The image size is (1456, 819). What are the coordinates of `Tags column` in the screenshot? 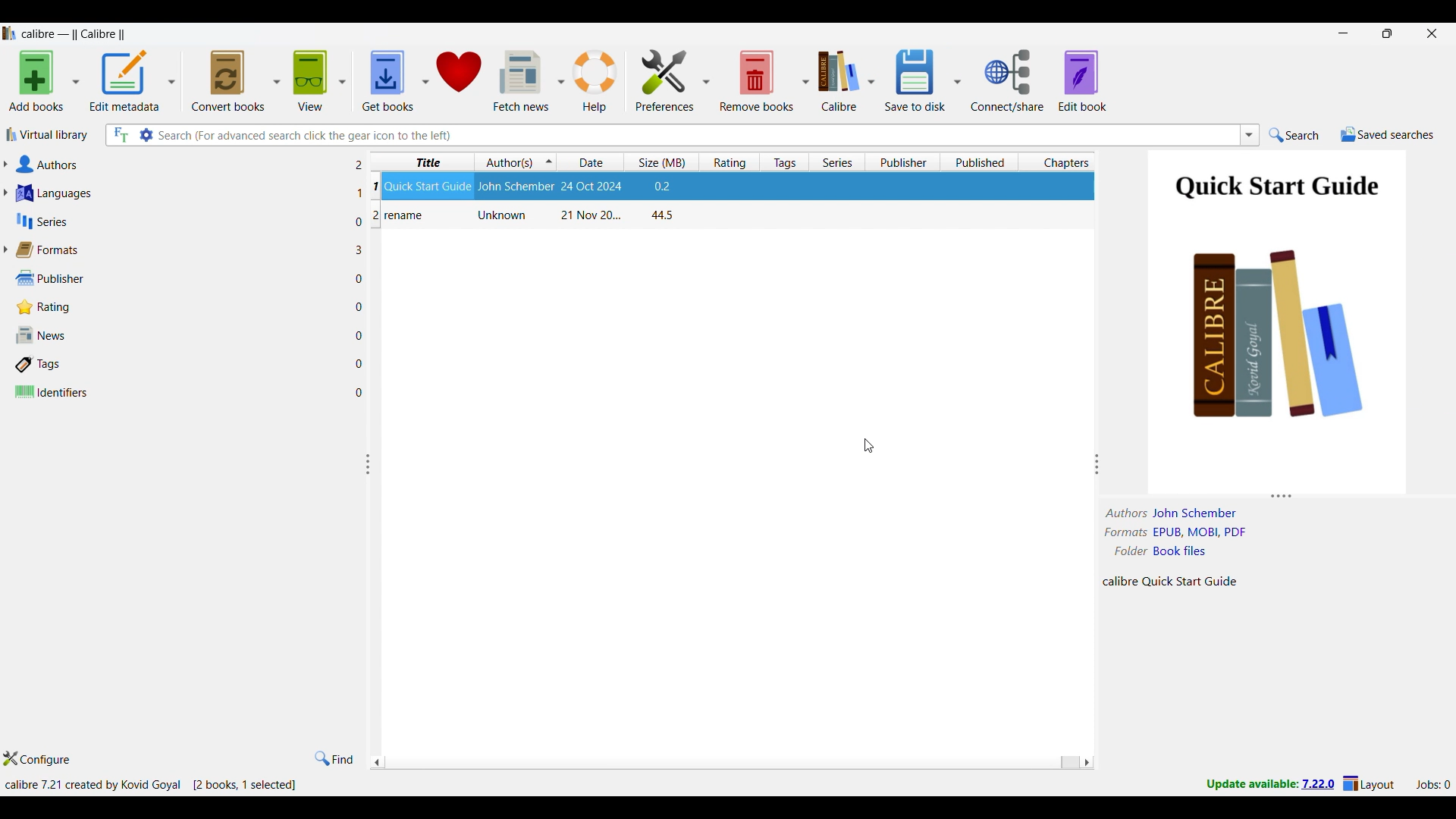 It's located at (784, 162).